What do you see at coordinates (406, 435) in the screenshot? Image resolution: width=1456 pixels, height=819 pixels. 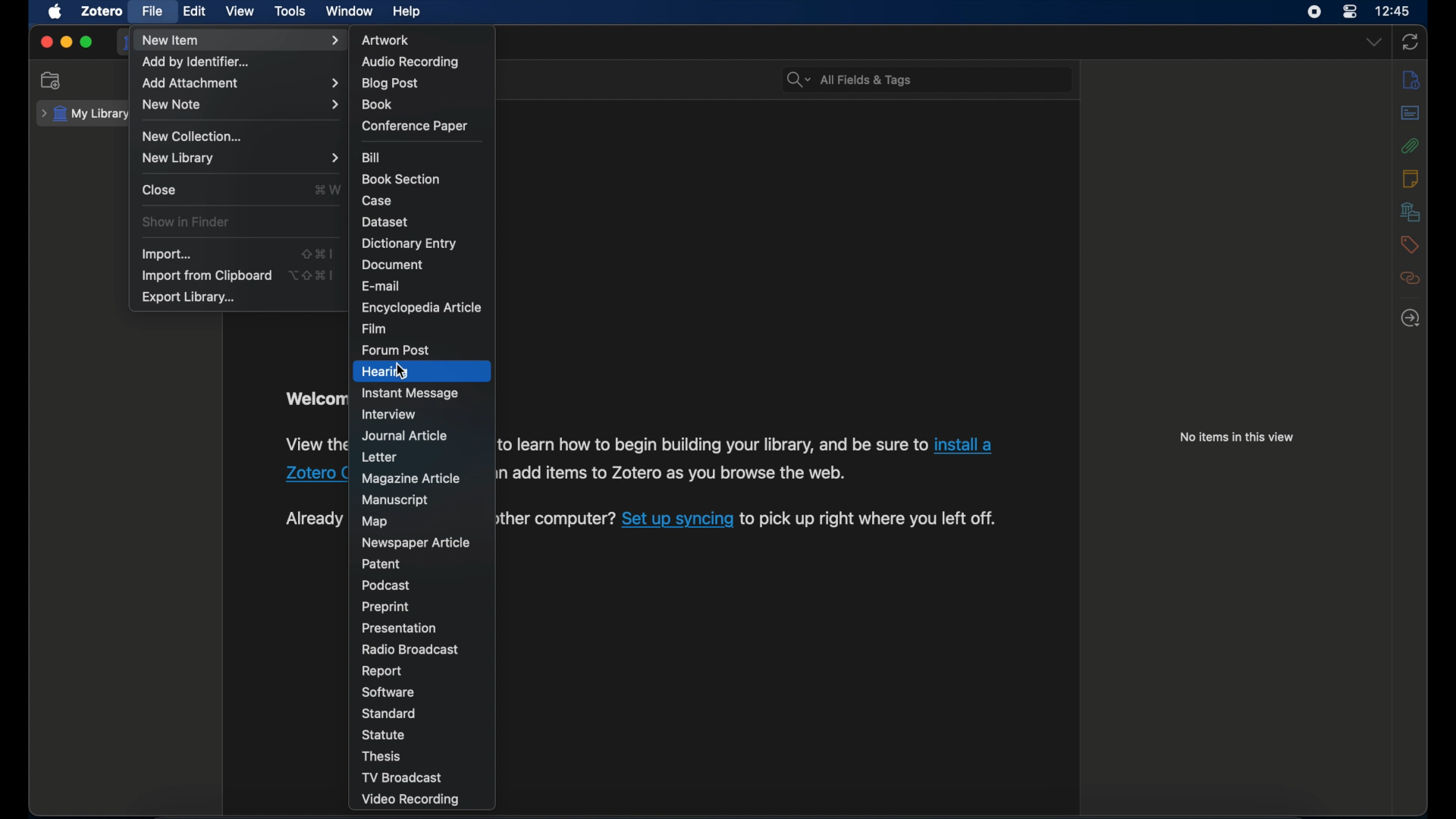 I see `journal article` at bounding box center [406, 435].